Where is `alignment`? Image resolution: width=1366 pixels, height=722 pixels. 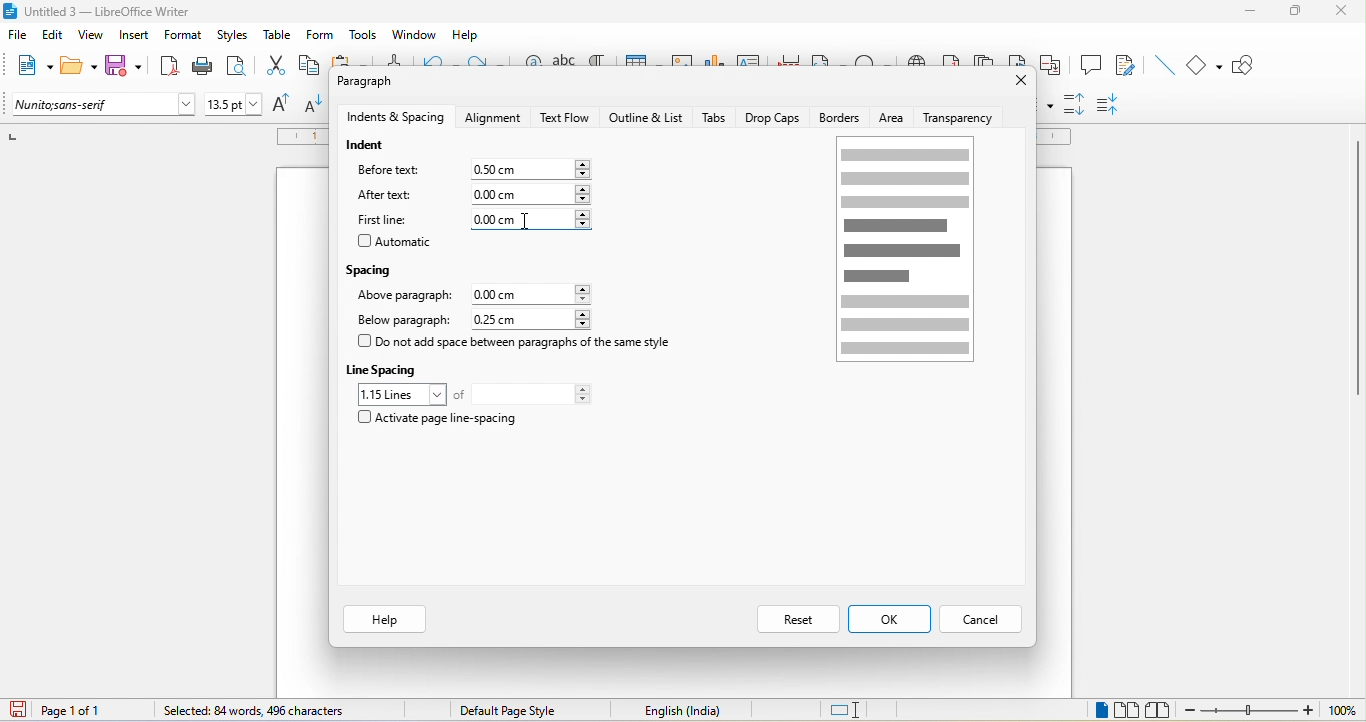
alignment is located at coordinates (492, 115).